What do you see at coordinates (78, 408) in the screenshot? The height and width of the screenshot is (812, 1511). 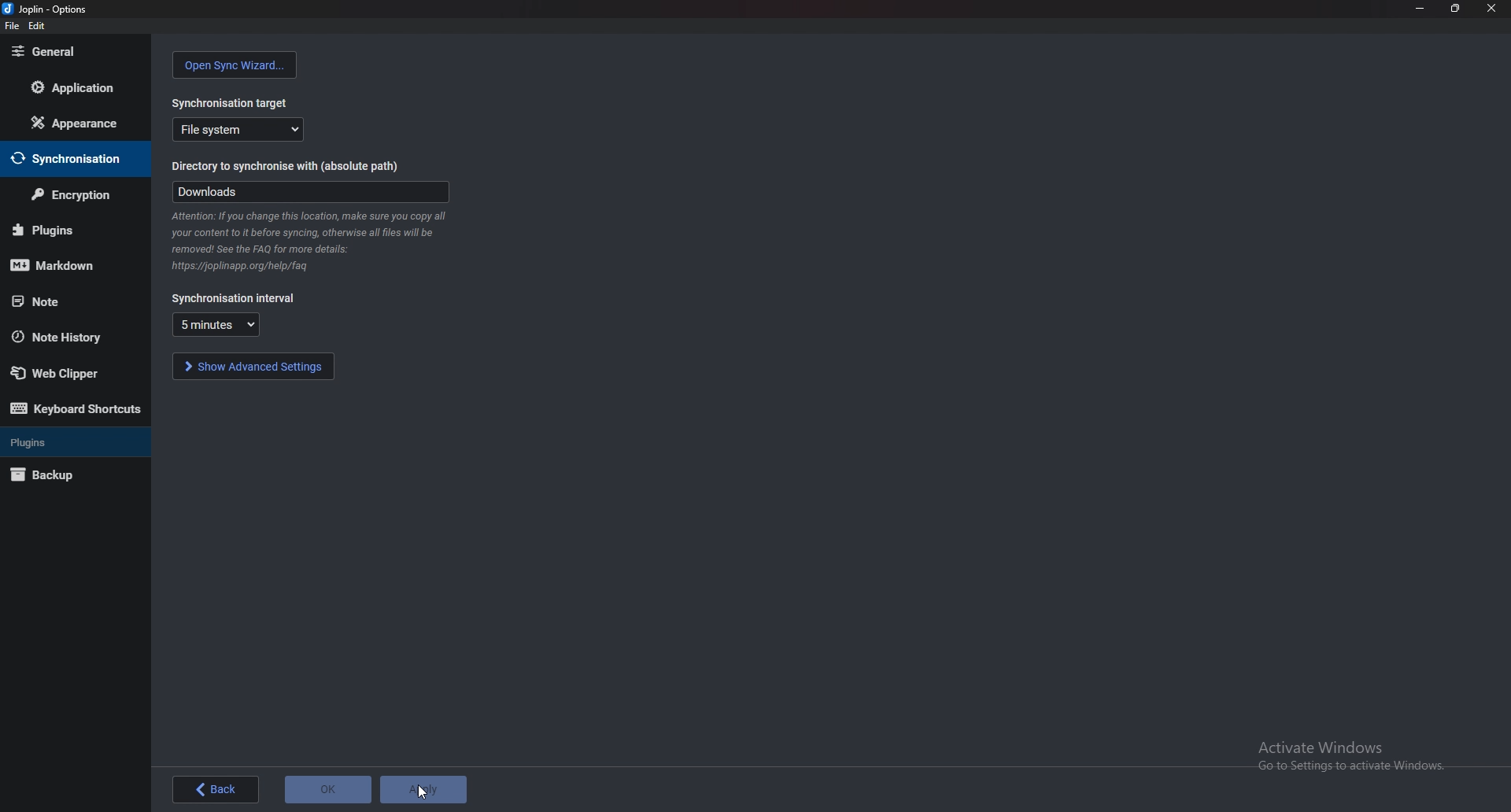 I see `Keyboard shortcuts` at bounding box center [78, 408].